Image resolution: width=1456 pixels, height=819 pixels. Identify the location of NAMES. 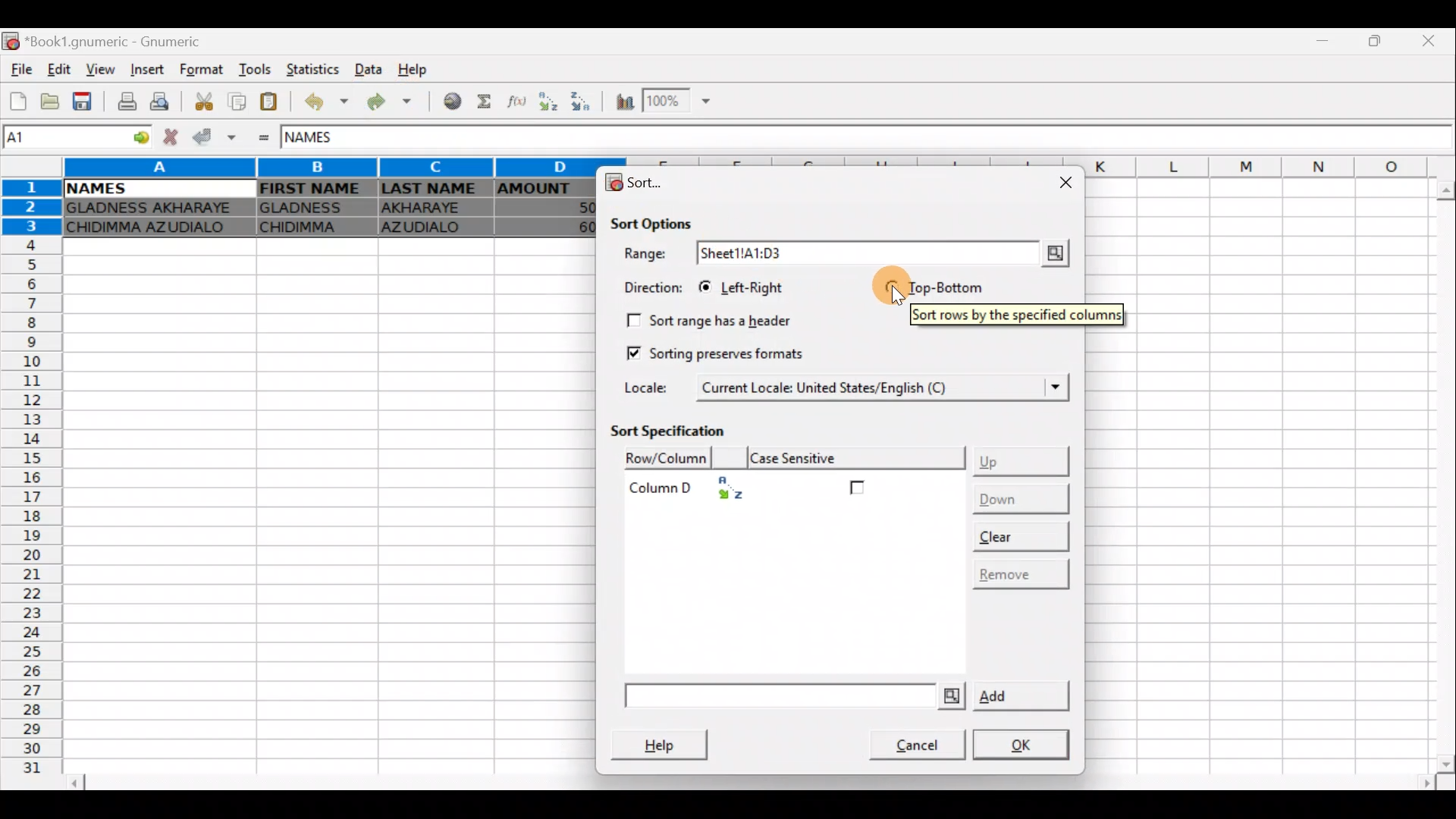
(95, 189).